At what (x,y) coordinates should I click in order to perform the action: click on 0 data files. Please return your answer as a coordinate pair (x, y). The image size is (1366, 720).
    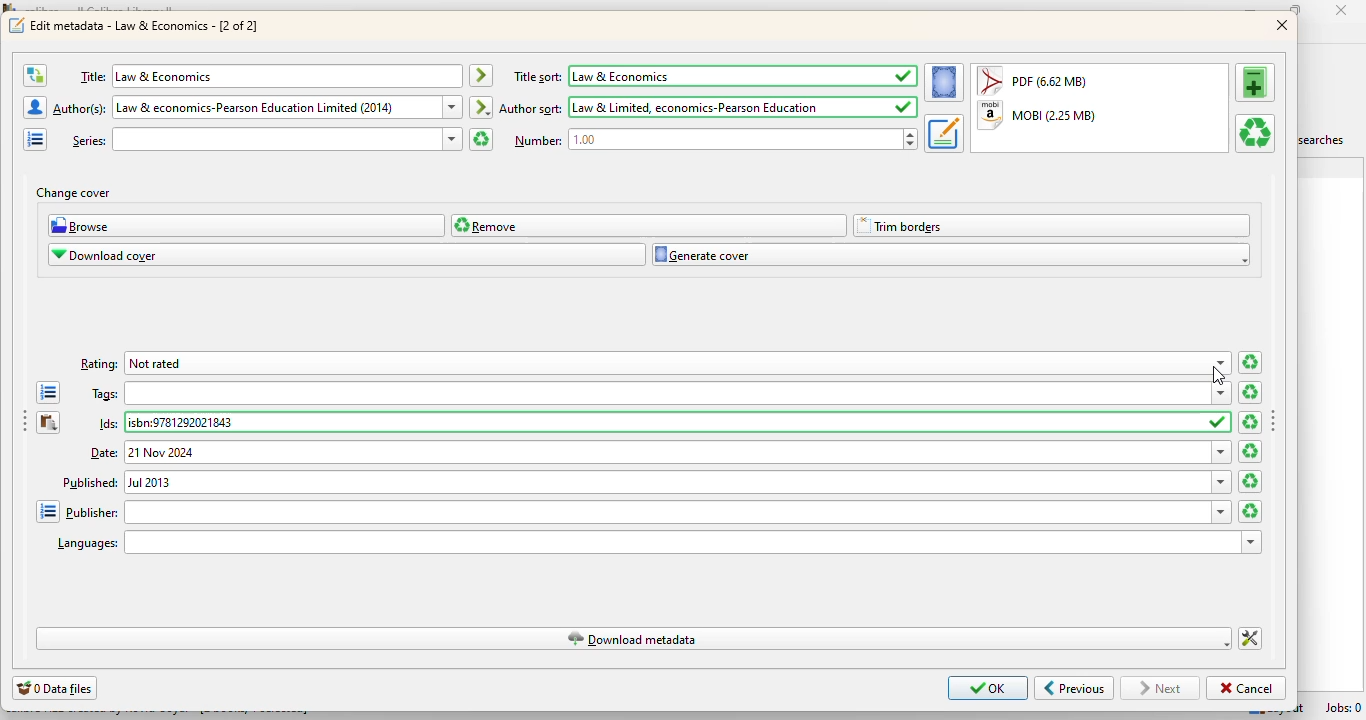
    Looking at the image, I should click on (55, 688).